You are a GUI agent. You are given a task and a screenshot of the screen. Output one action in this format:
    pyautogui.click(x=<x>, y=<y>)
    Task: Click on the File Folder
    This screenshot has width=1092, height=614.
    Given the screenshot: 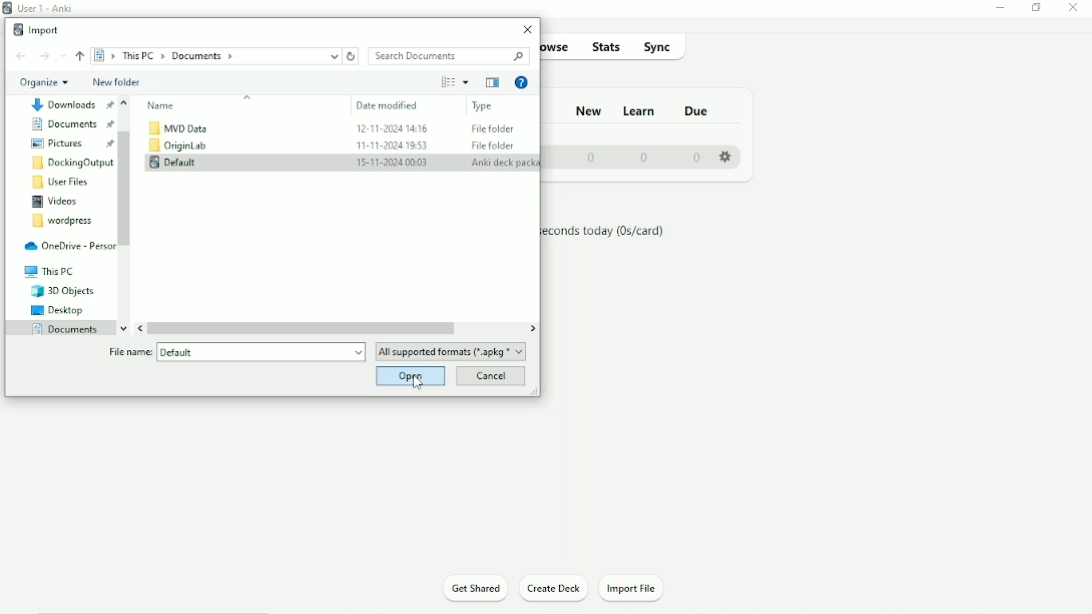 What is the action you would take?
    pyautogui.click(x=494, y=145)
    